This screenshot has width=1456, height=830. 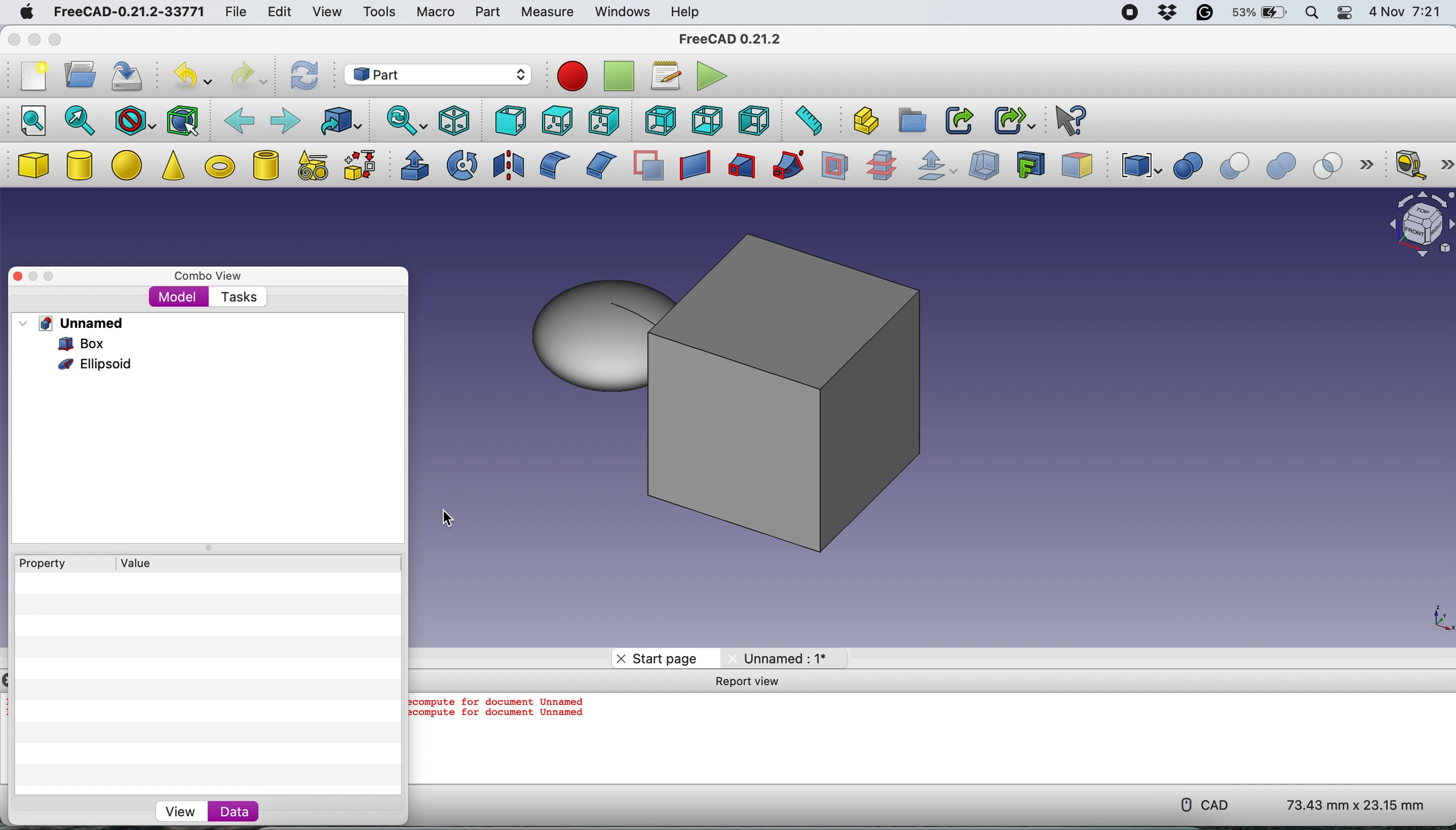 I want to click on object interface, so click(x=1421, y=226).